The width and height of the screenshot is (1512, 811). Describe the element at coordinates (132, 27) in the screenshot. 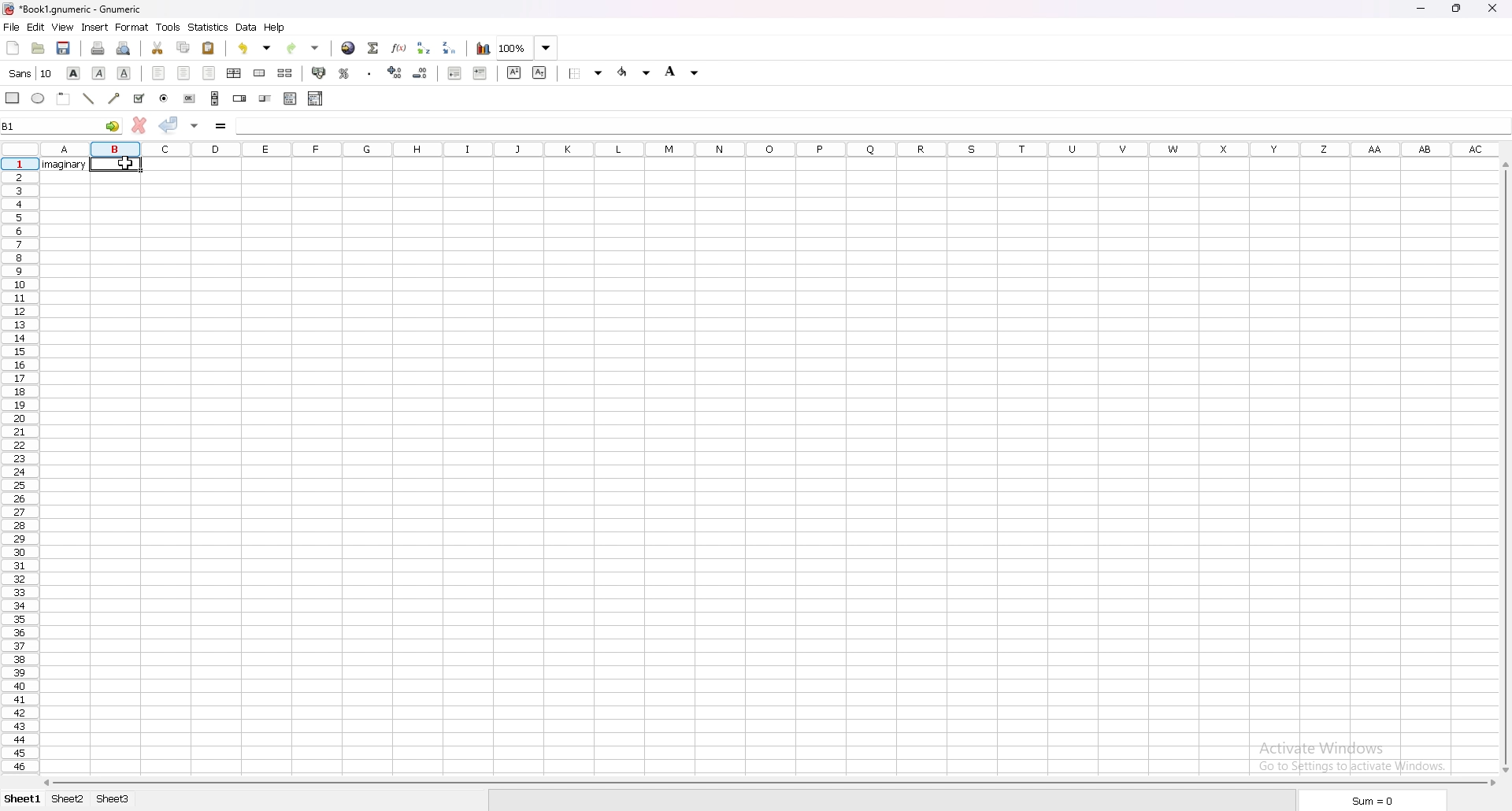

I see `format` at that location.